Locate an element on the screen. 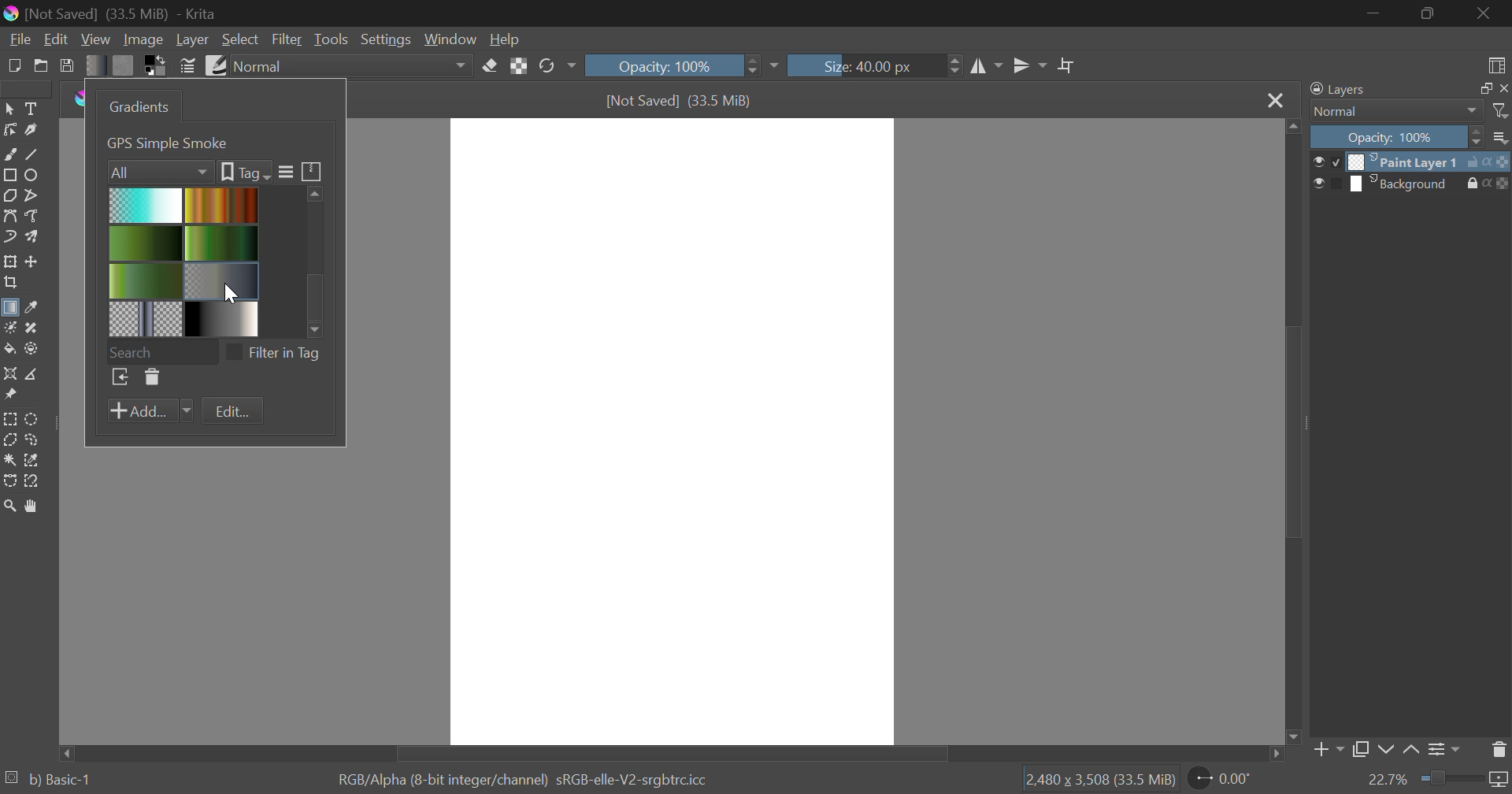 The image size is (1512, 794). Ellipses is located at coordinates (32, 175).